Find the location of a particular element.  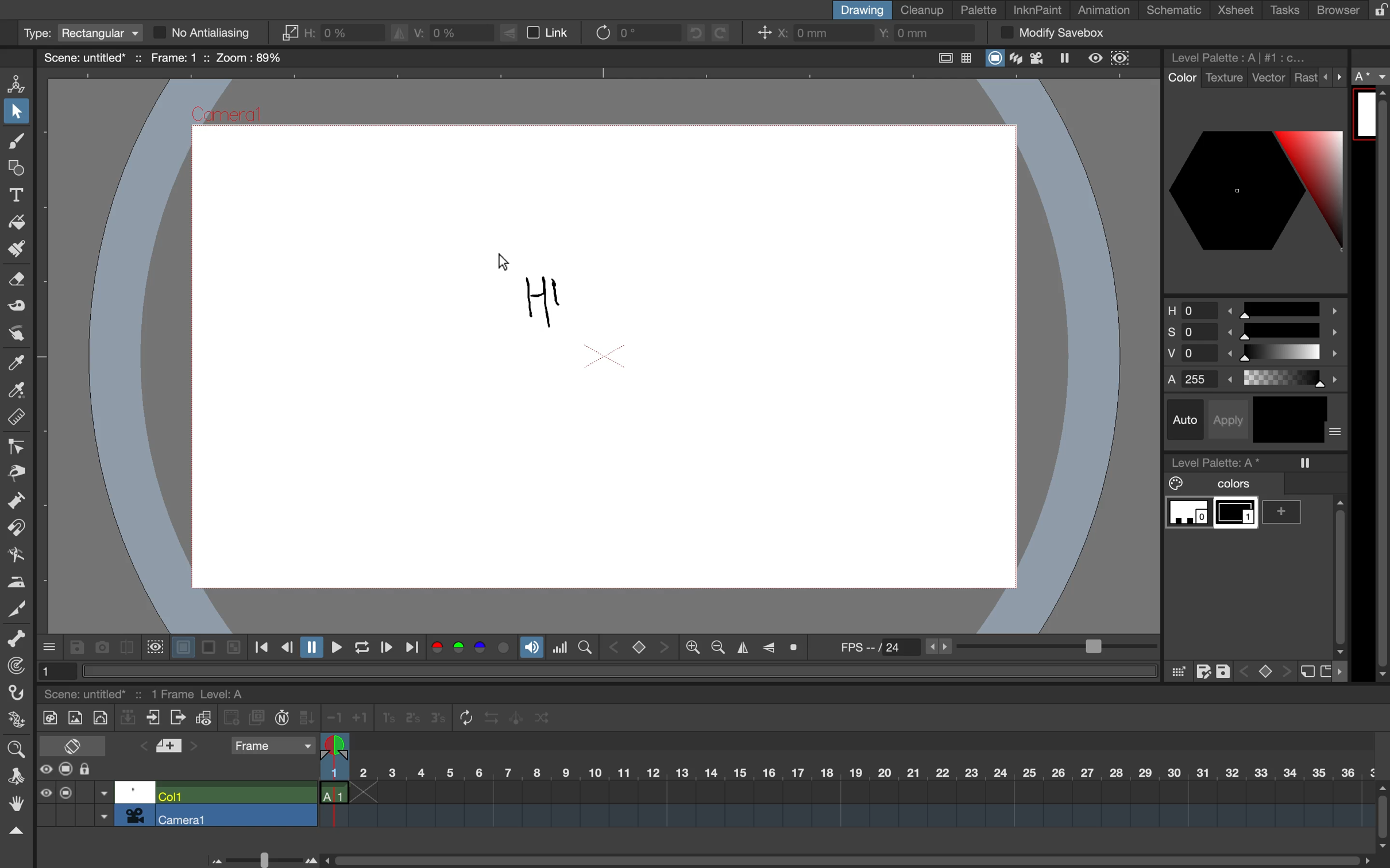

type rectangular is located at coordinates (80, 33).